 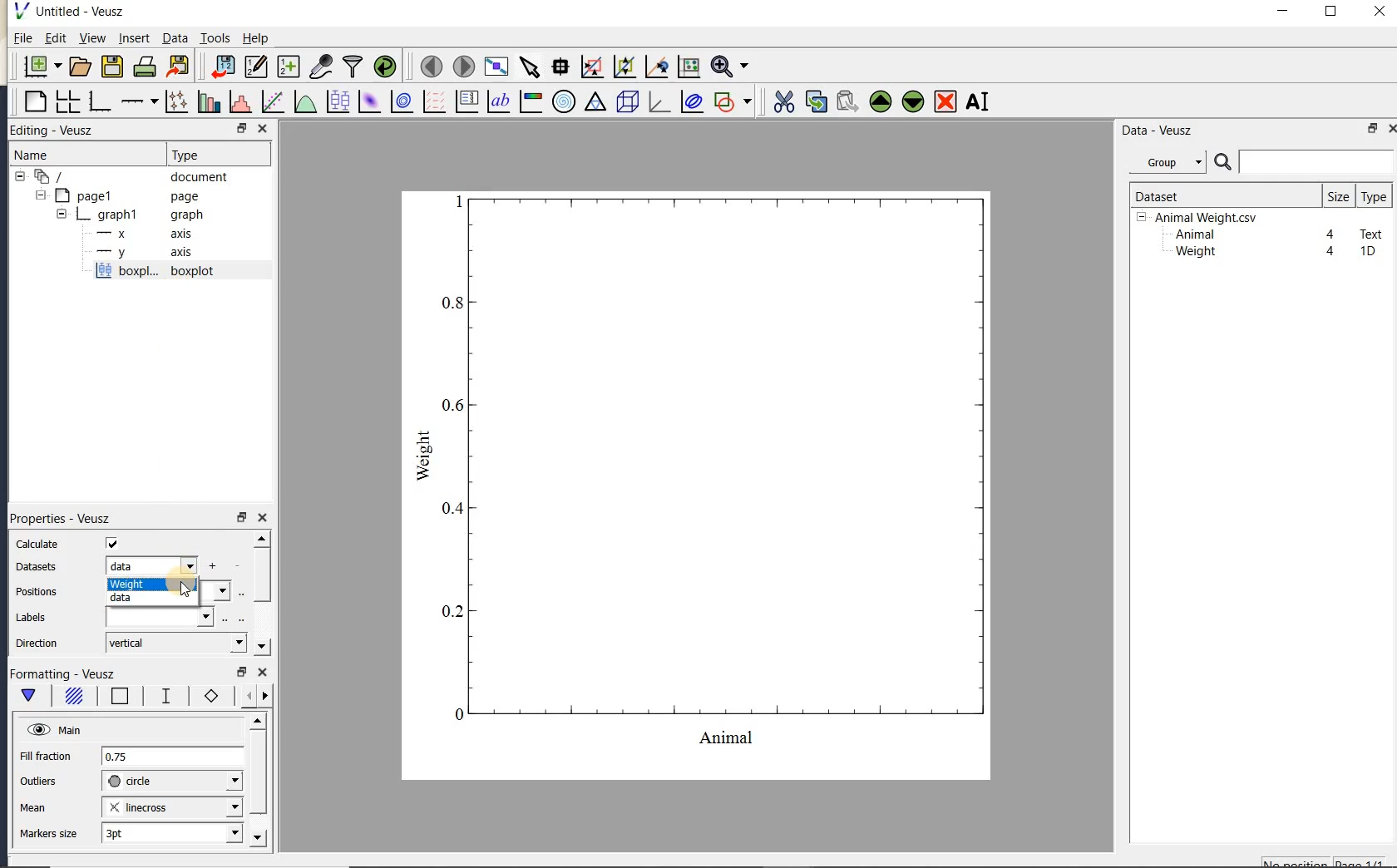 What do you see at coordinates (215, 153) in the screenshot?
I see `Type` at bounding box center [215, 153].